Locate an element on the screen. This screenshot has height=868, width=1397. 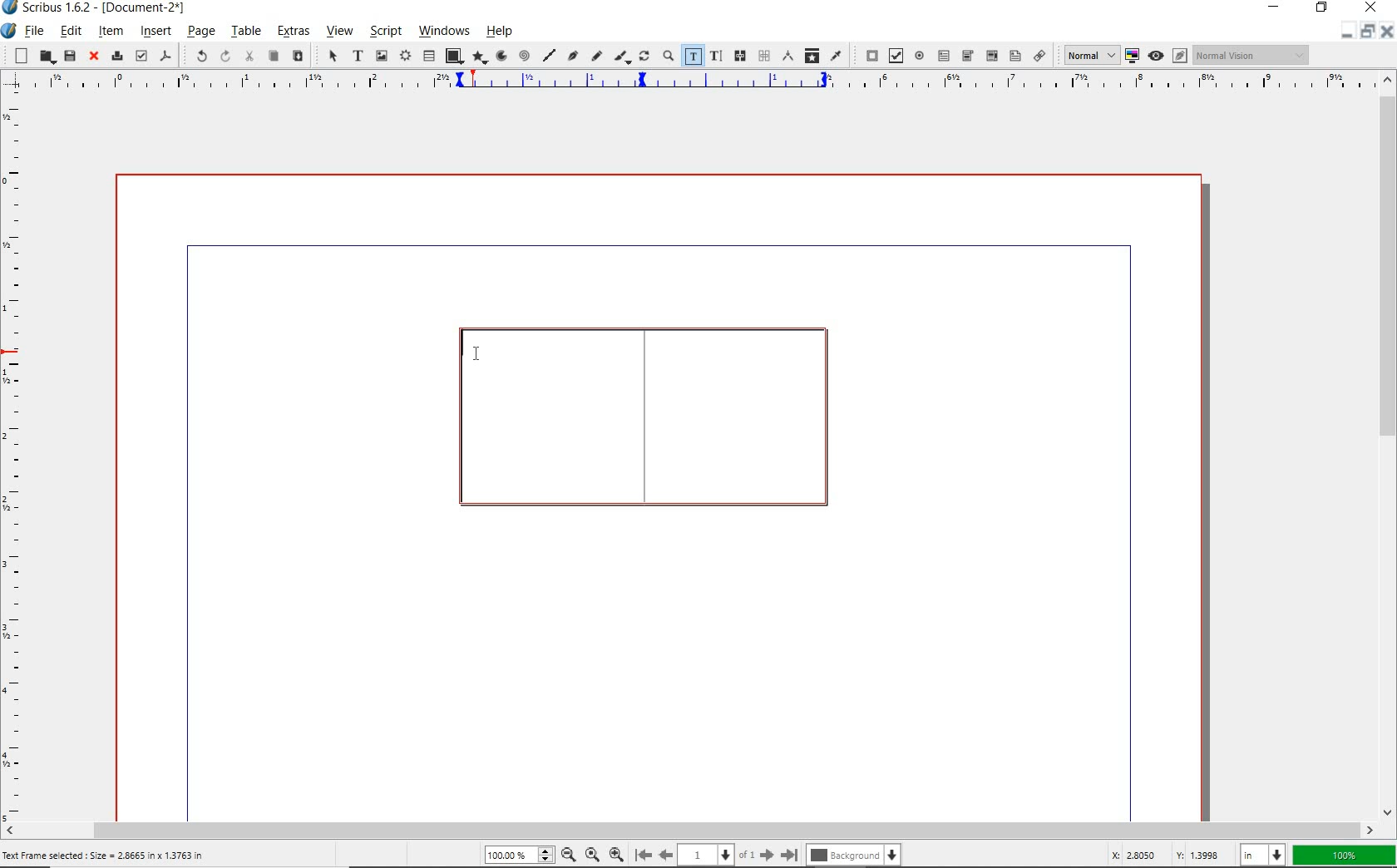
scrollbar is located at coordinates (689, 831).